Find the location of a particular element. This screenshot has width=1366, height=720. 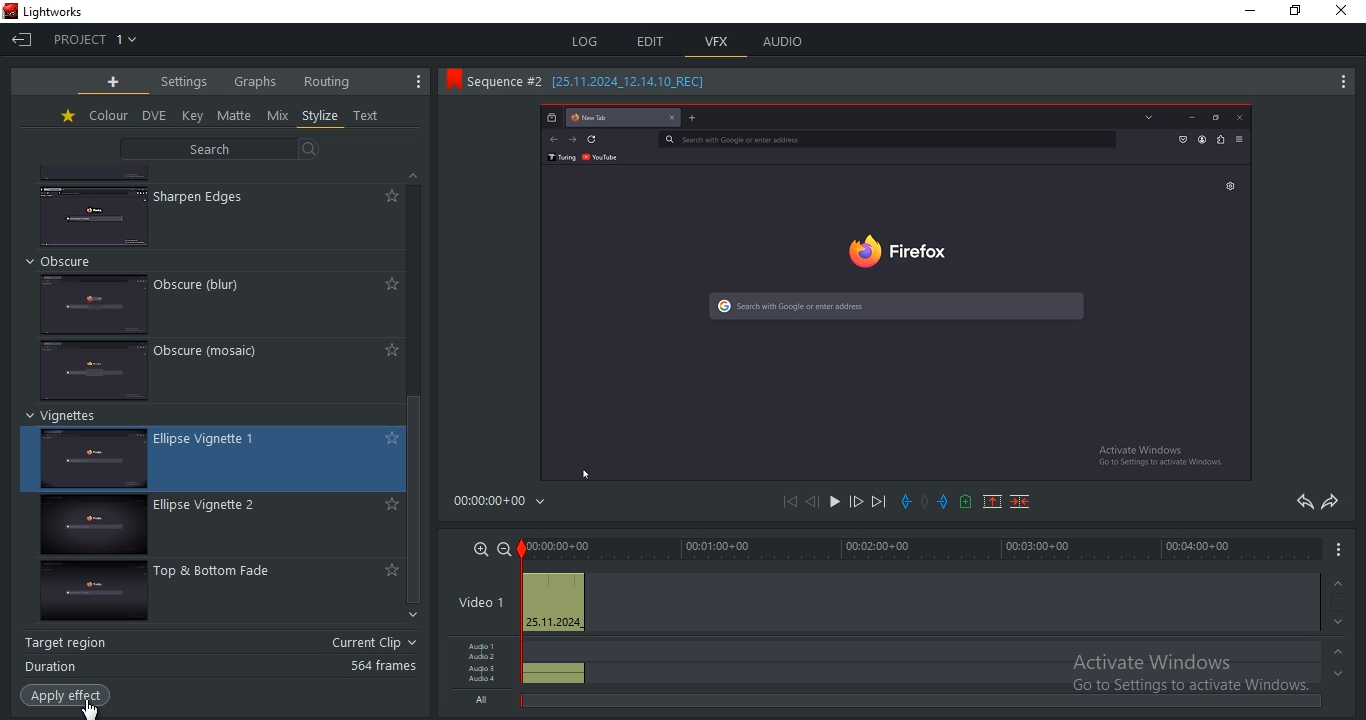

Add to favorites is located at coordinates (387, 349).